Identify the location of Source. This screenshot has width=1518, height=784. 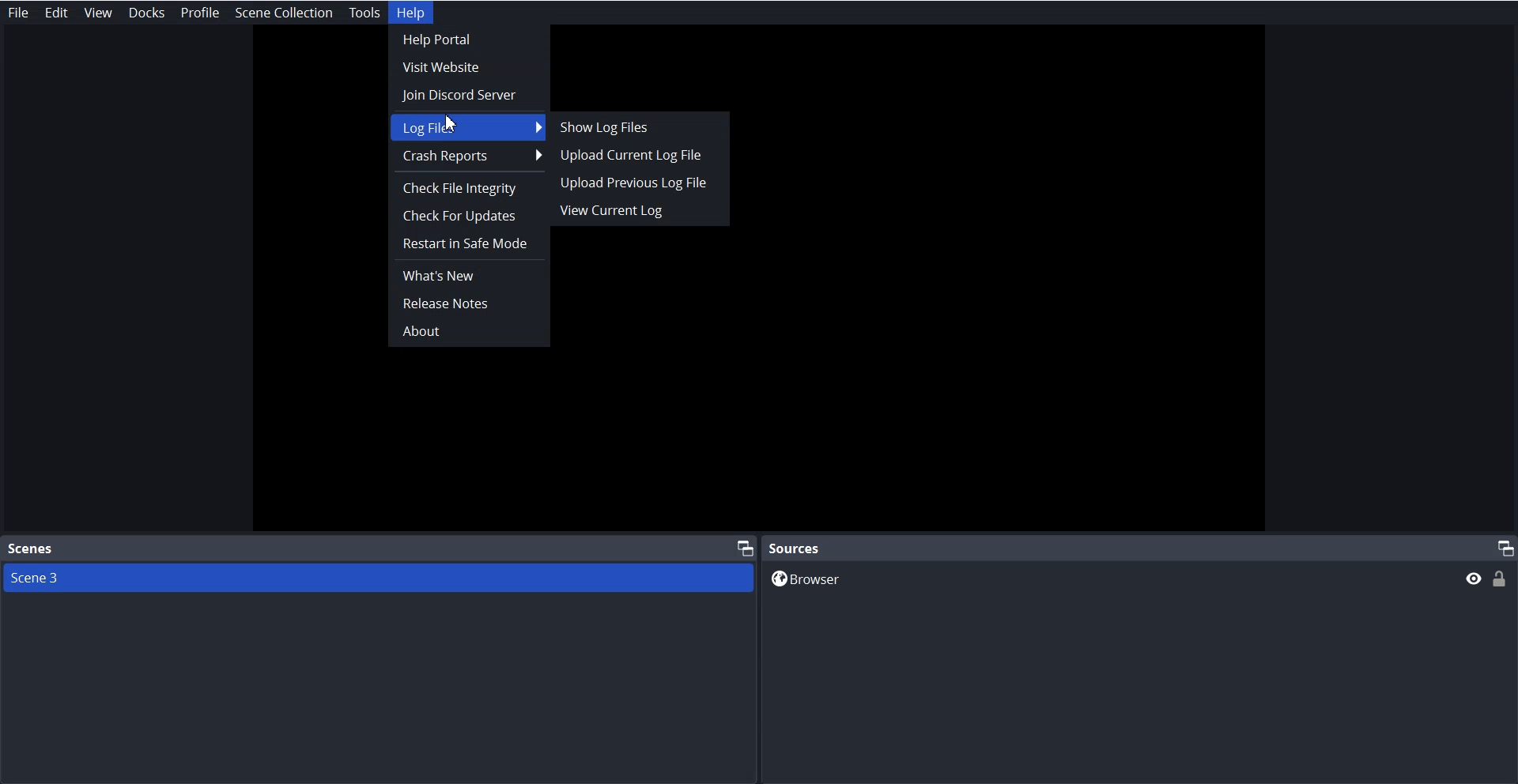
(797, 548).